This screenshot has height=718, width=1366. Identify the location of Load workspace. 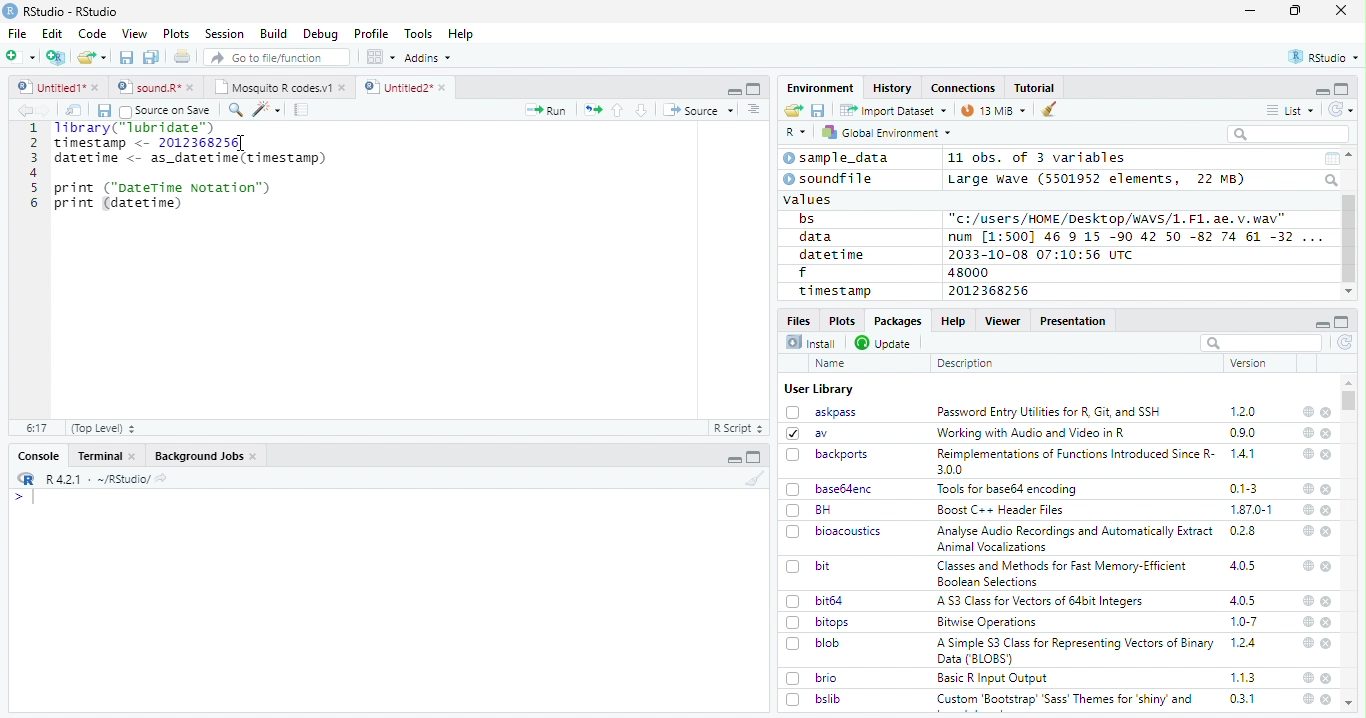
(794, 111).